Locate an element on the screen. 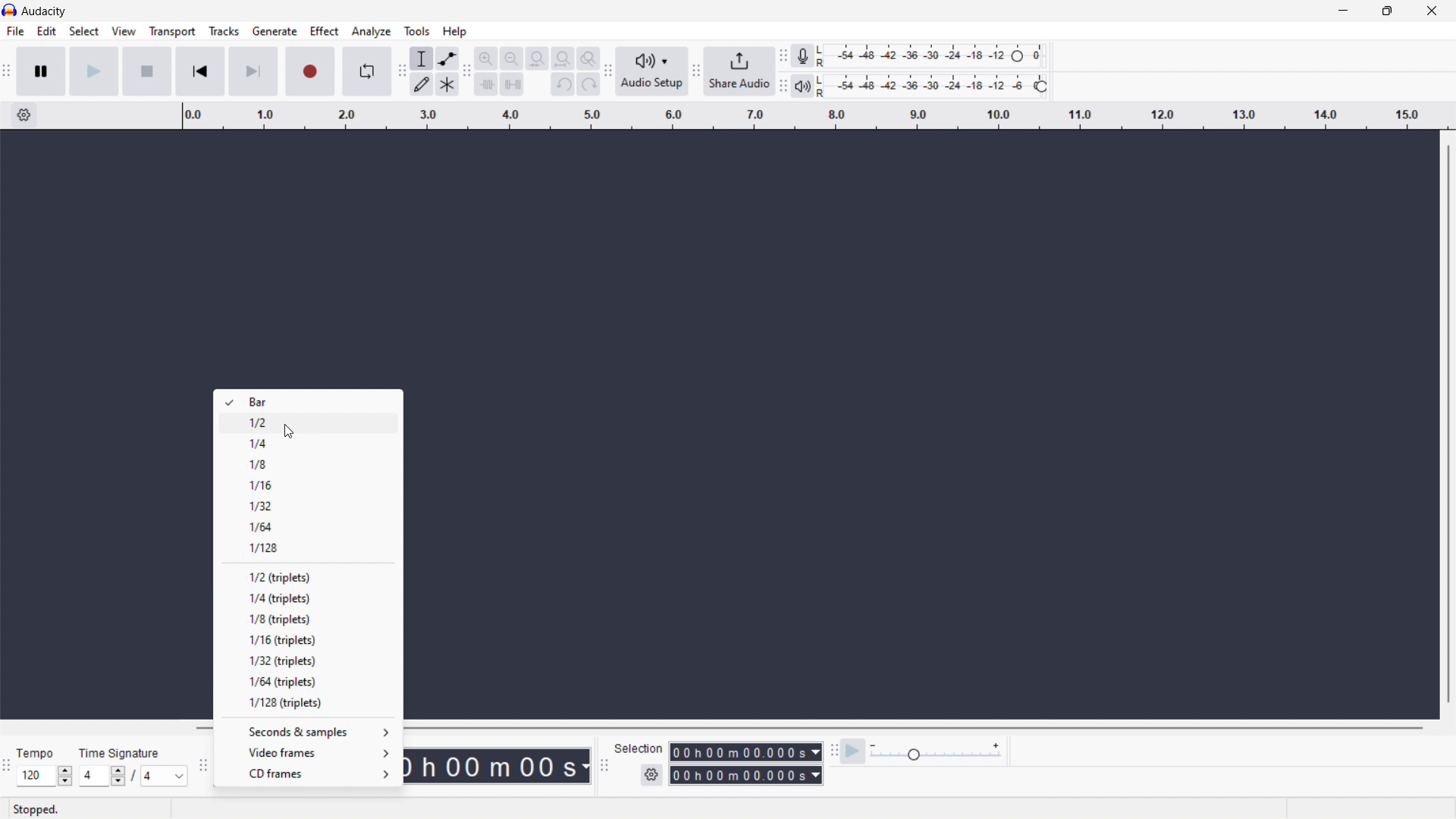 Image resolution: width=1456 pixels, height=819 pixels. redo is located at coordinates (588, 83).